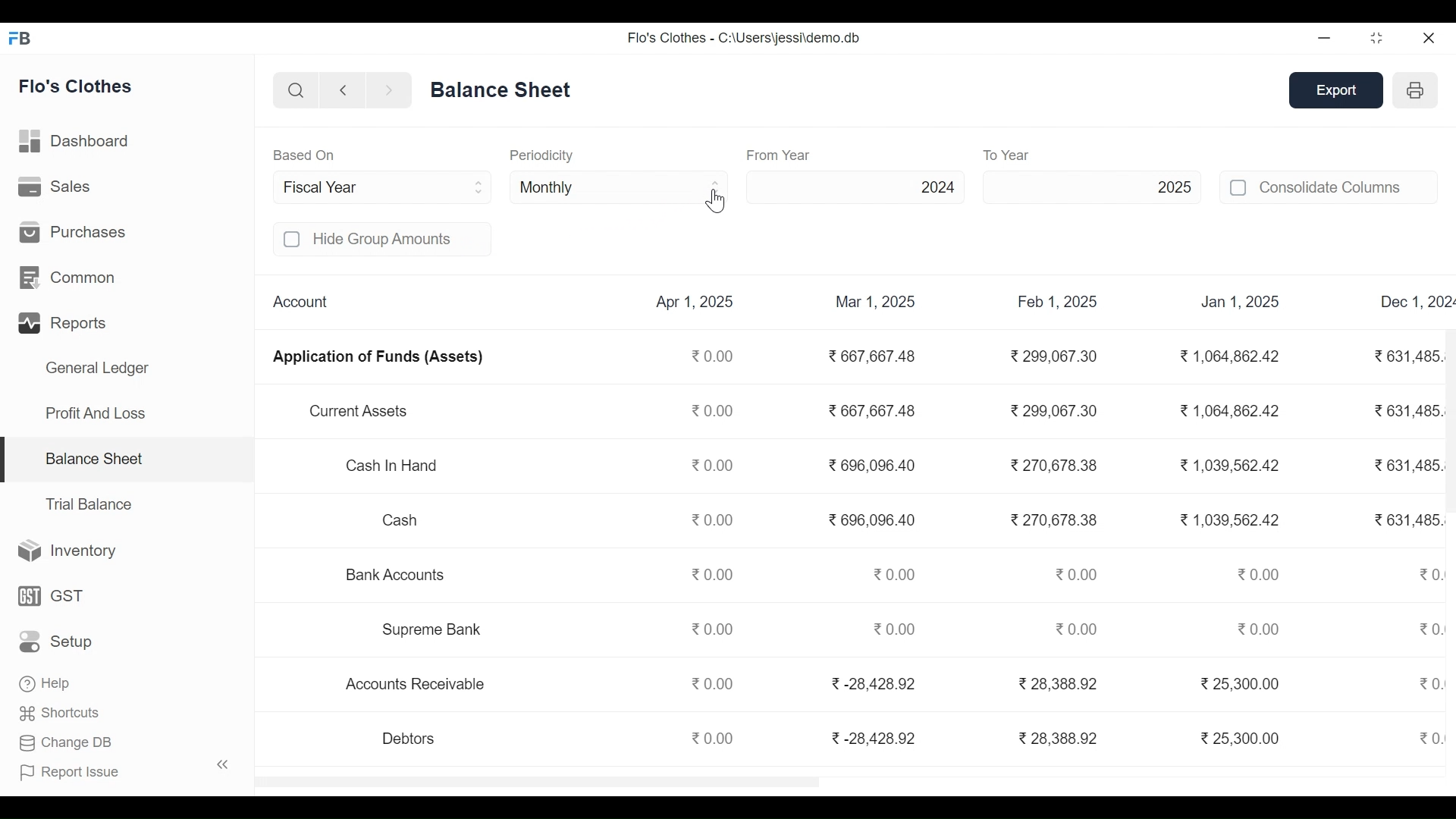  Describe the element at coordinates (223, 764) in the screenshot. I see `Collapse ` at that location.